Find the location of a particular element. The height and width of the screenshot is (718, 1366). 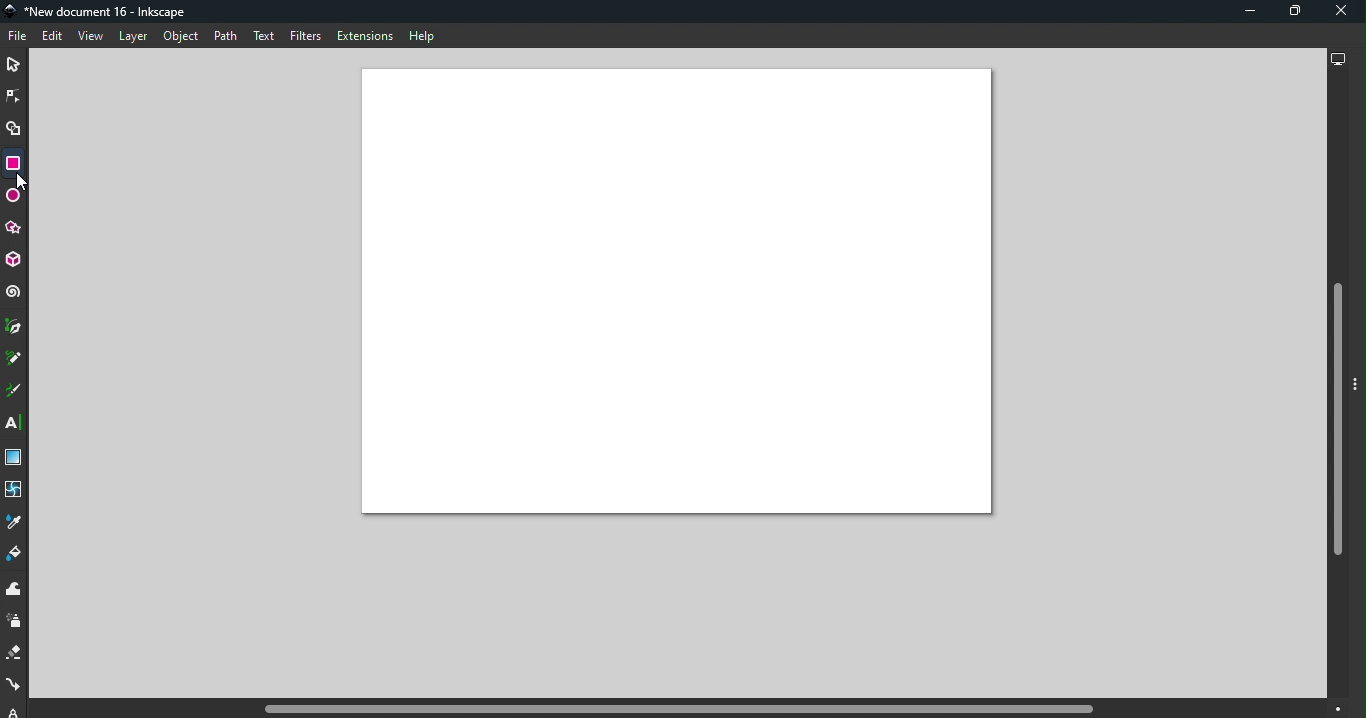

Pen tool is located at coordinates (15, 327).